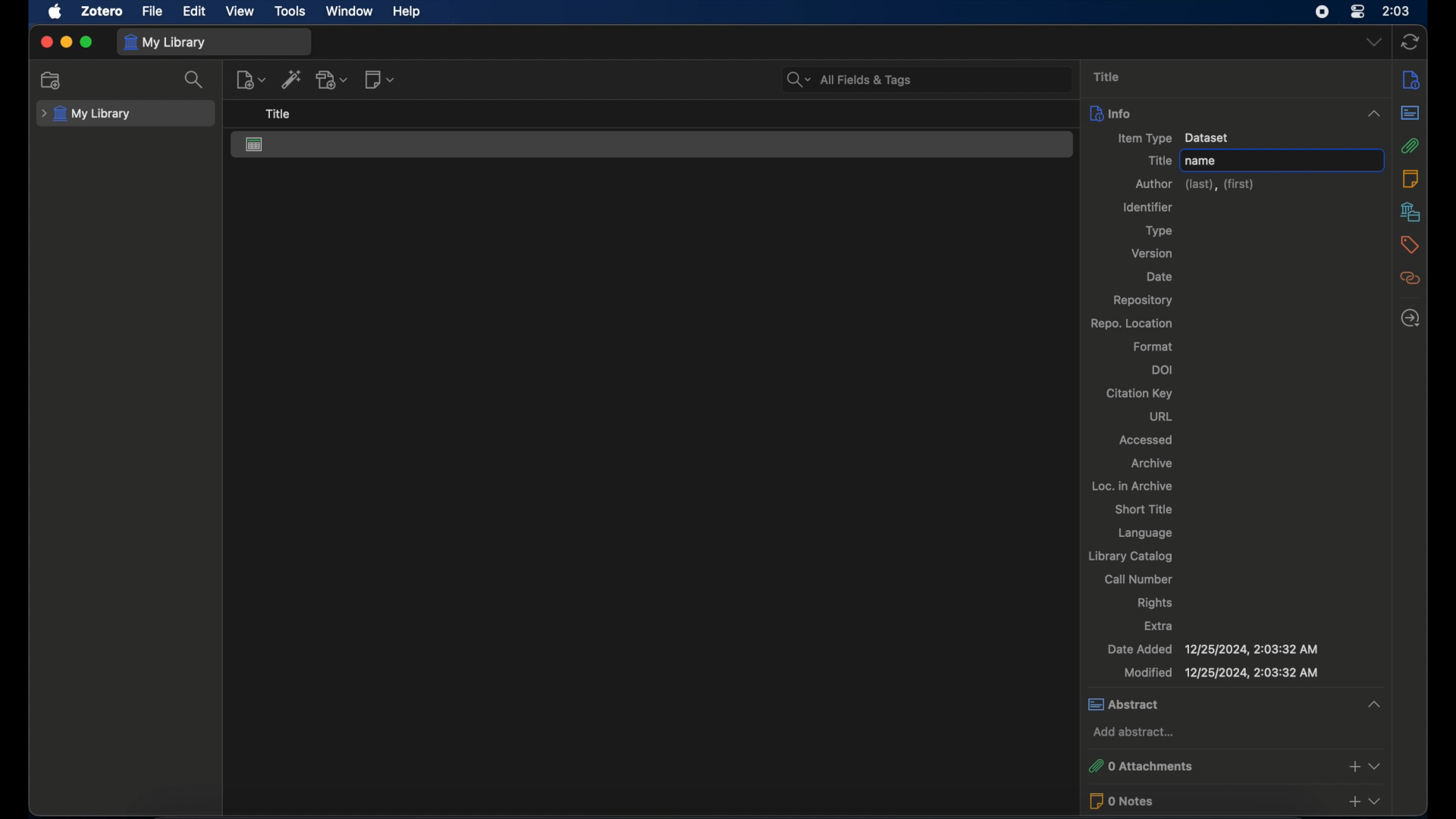 The height and width of the screenshot is (819, 1456). I want to click on extra, so click(1159, 625).